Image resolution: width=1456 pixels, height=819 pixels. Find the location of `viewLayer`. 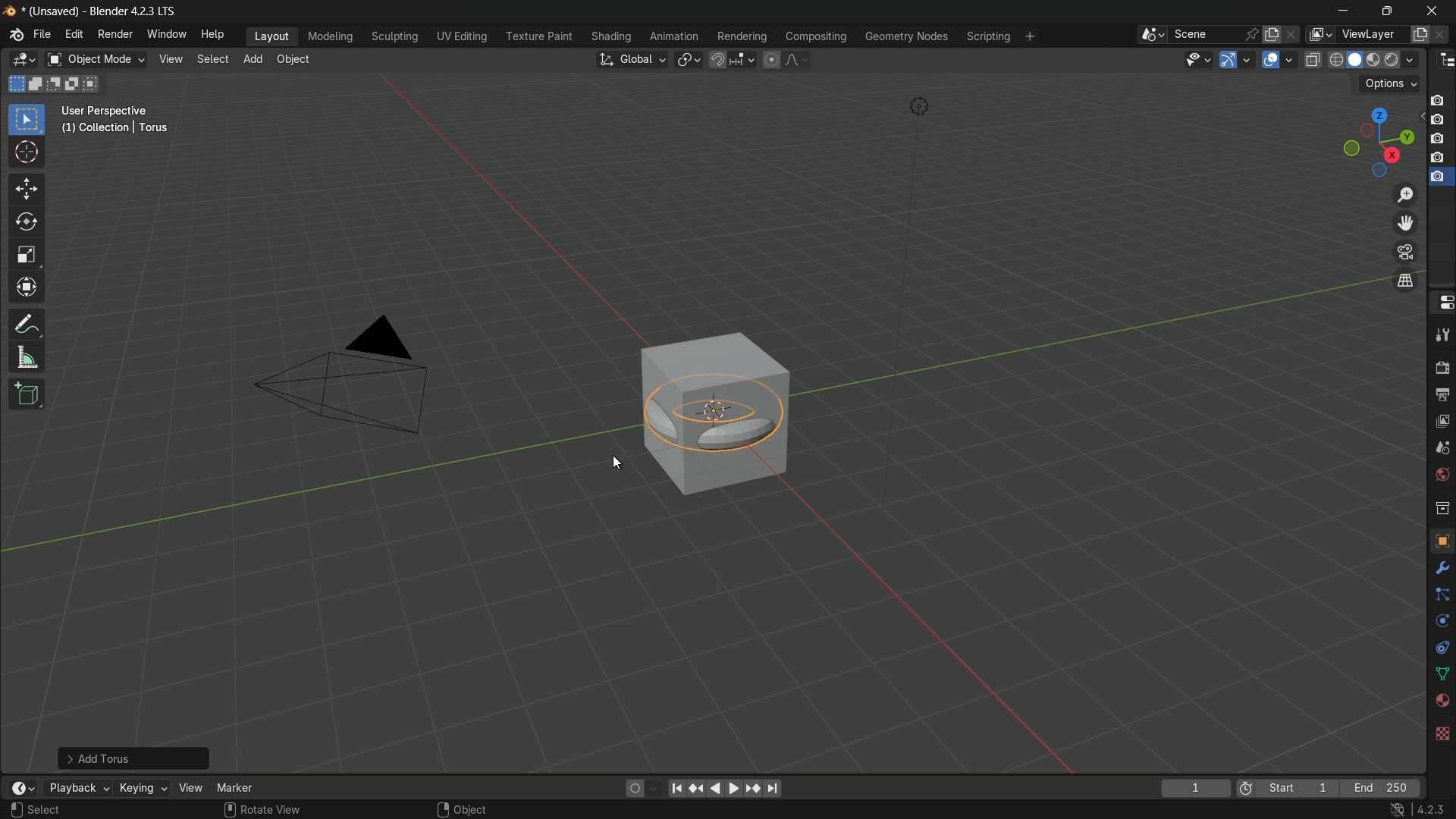

viewLayer is located at coordinates (1371, 34).